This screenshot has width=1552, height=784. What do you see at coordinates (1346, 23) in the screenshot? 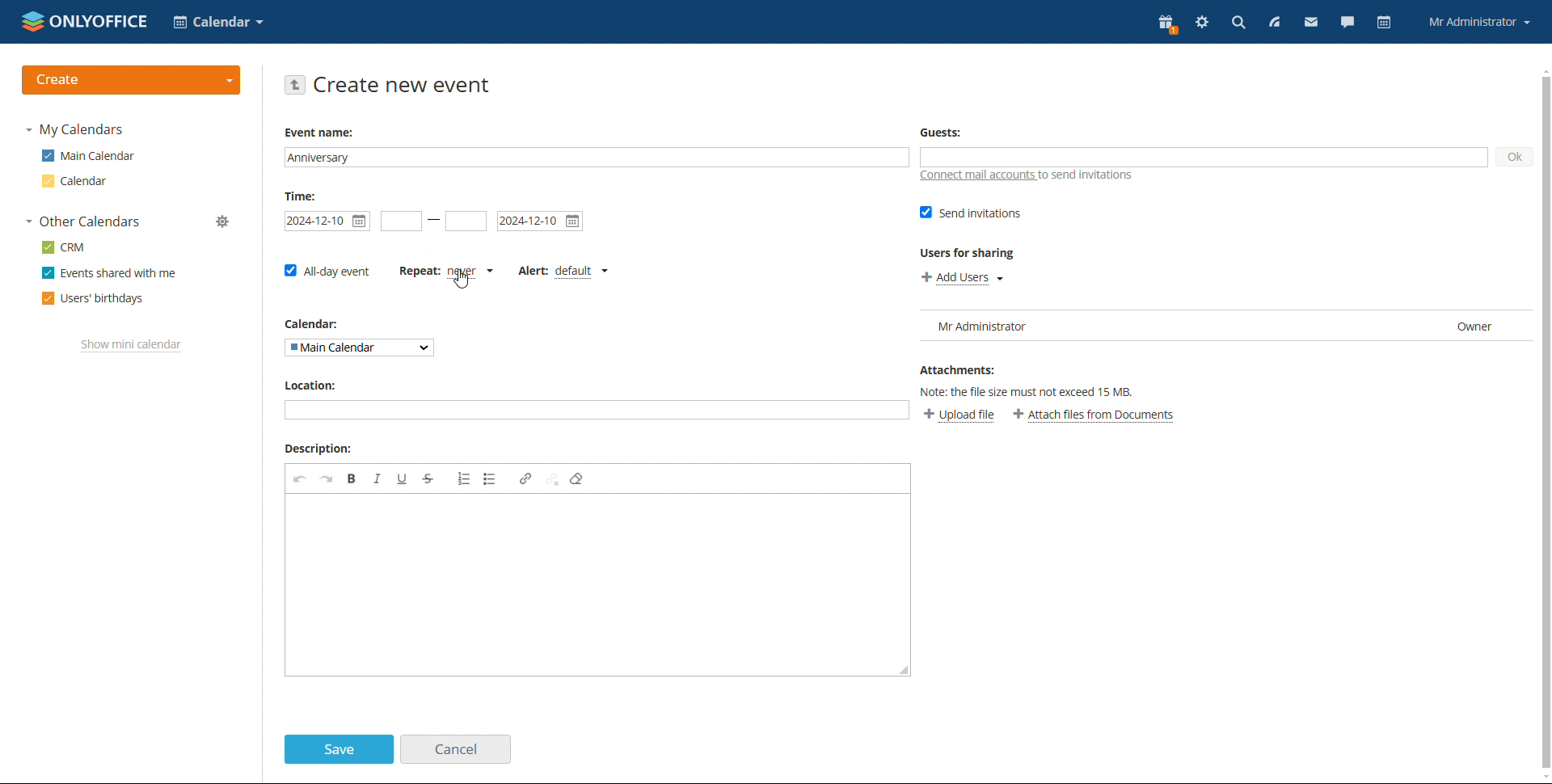
I see `talk` at bounding box center [1346, 23].